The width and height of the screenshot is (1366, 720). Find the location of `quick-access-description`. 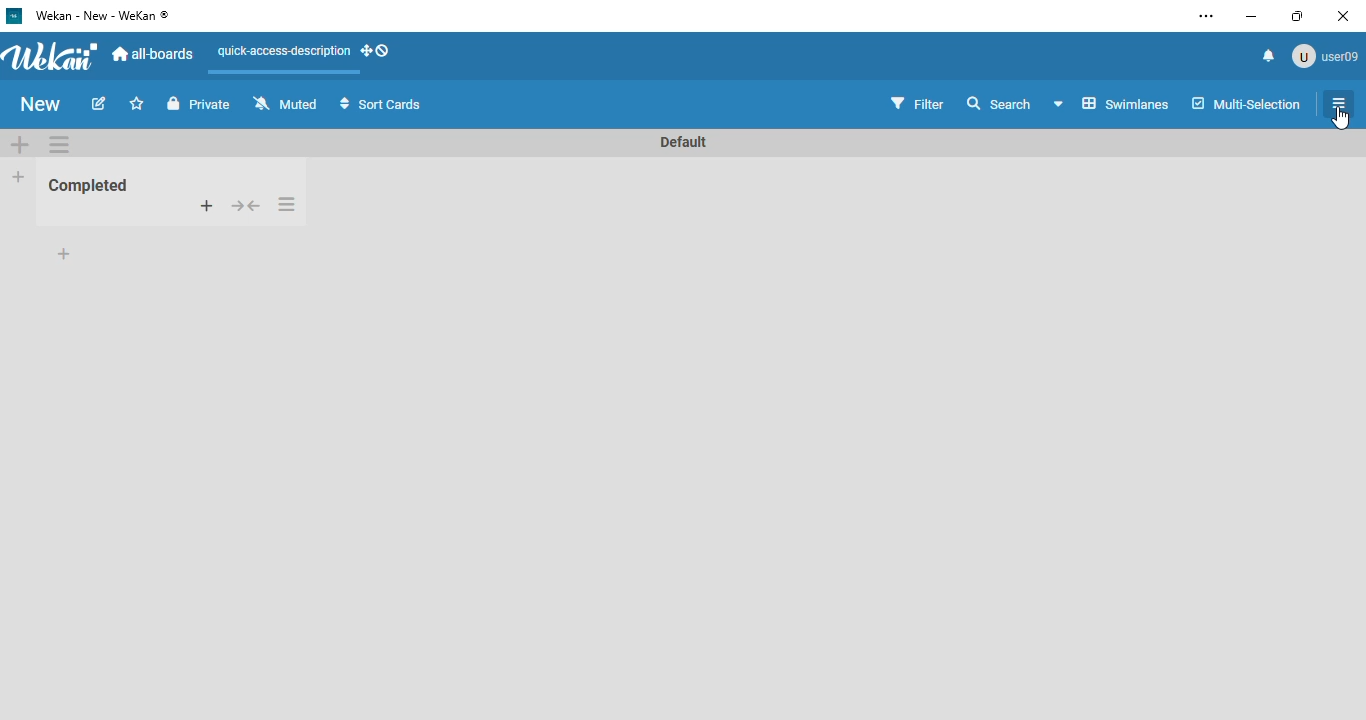

quick-access-description is located at coordinates (283, 51).